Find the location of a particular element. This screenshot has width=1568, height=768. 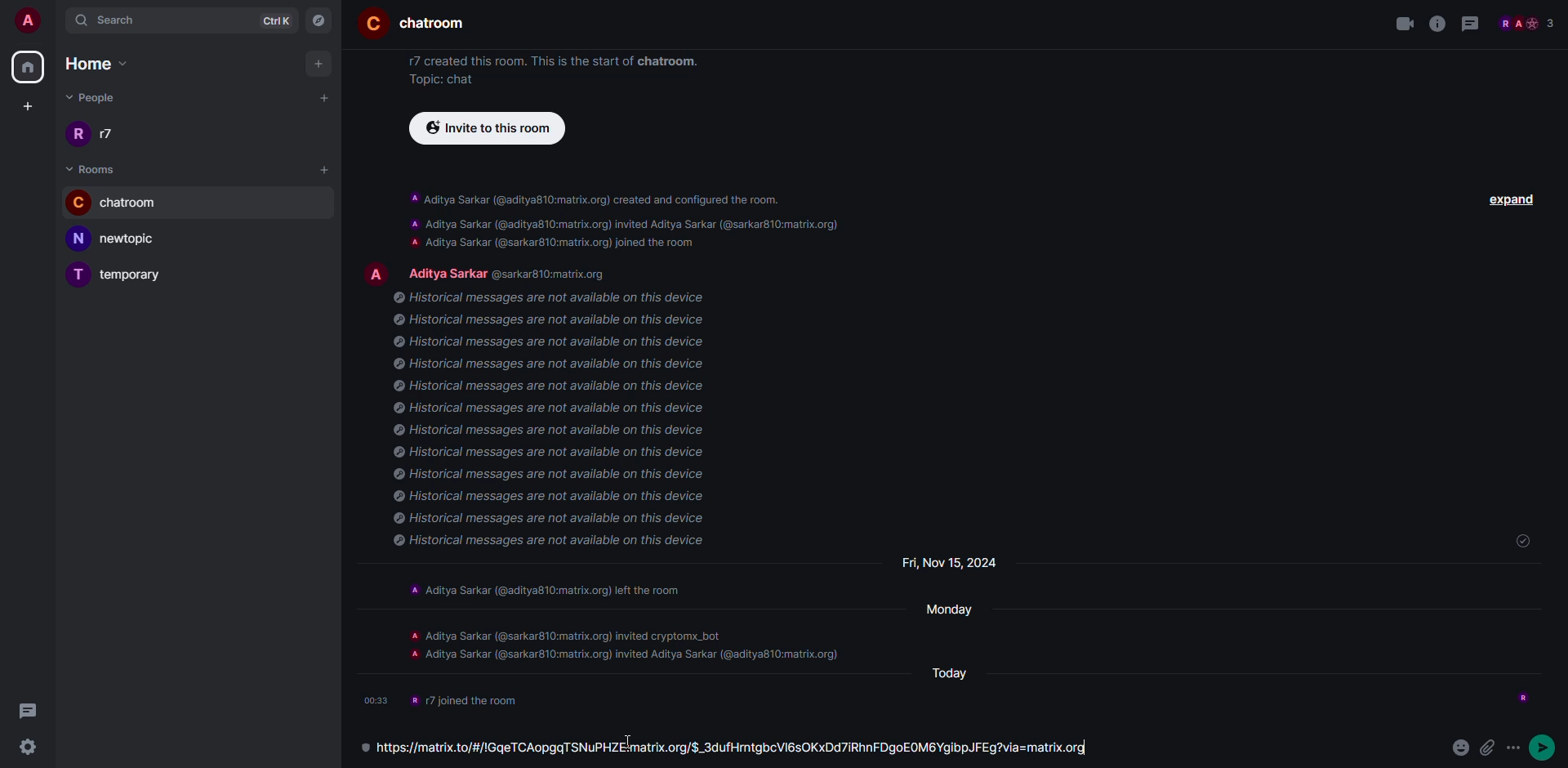

info is located at coordinates (475, 700).